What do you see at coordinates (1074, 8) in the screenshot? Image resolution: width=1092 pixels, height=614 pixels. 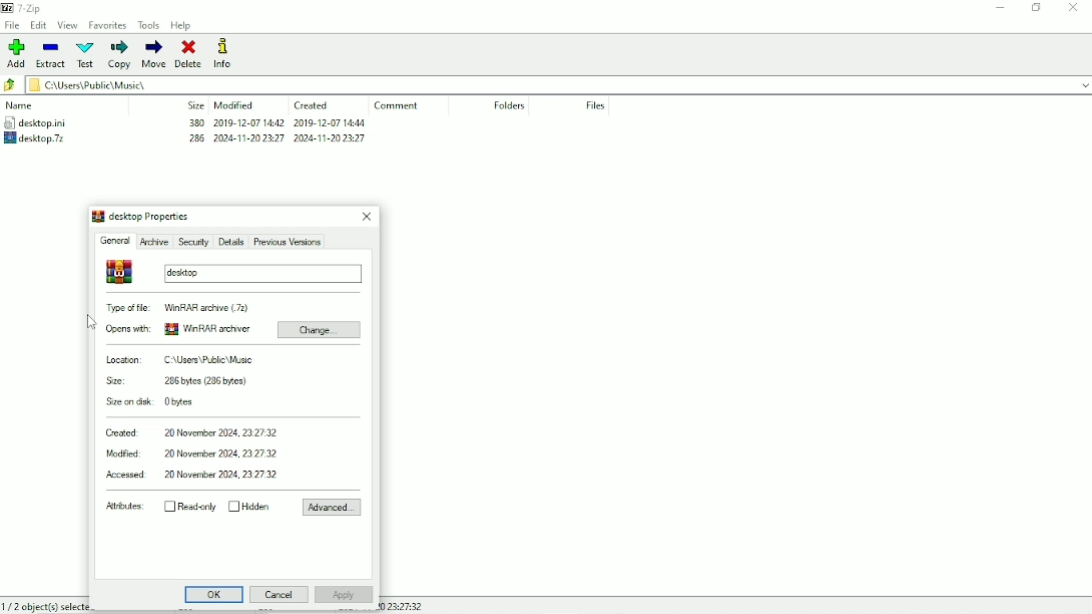 I see `Close` at bounding box center [1074, 8].